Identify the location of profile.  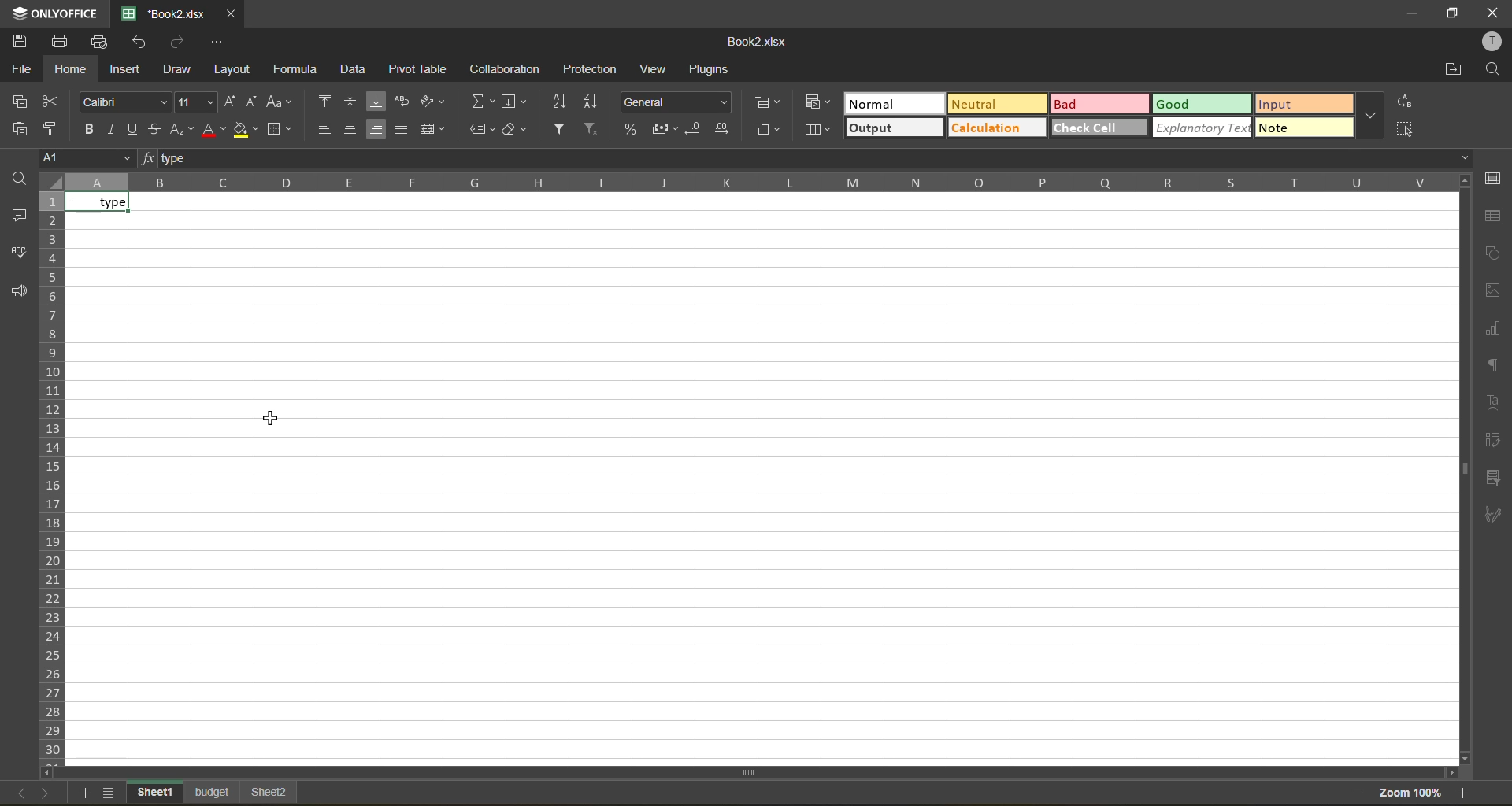
(1489, 42).